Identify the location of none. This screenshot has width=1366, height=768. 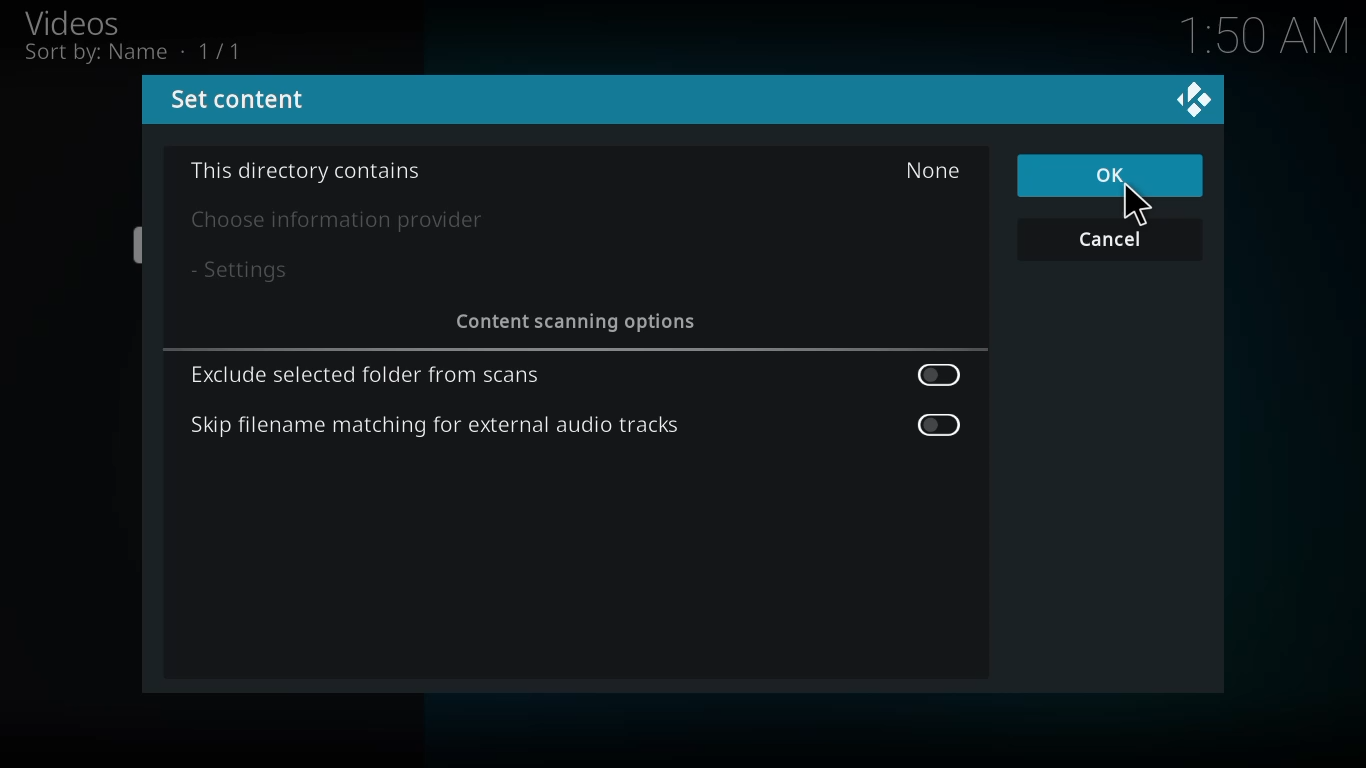
(932, 168).